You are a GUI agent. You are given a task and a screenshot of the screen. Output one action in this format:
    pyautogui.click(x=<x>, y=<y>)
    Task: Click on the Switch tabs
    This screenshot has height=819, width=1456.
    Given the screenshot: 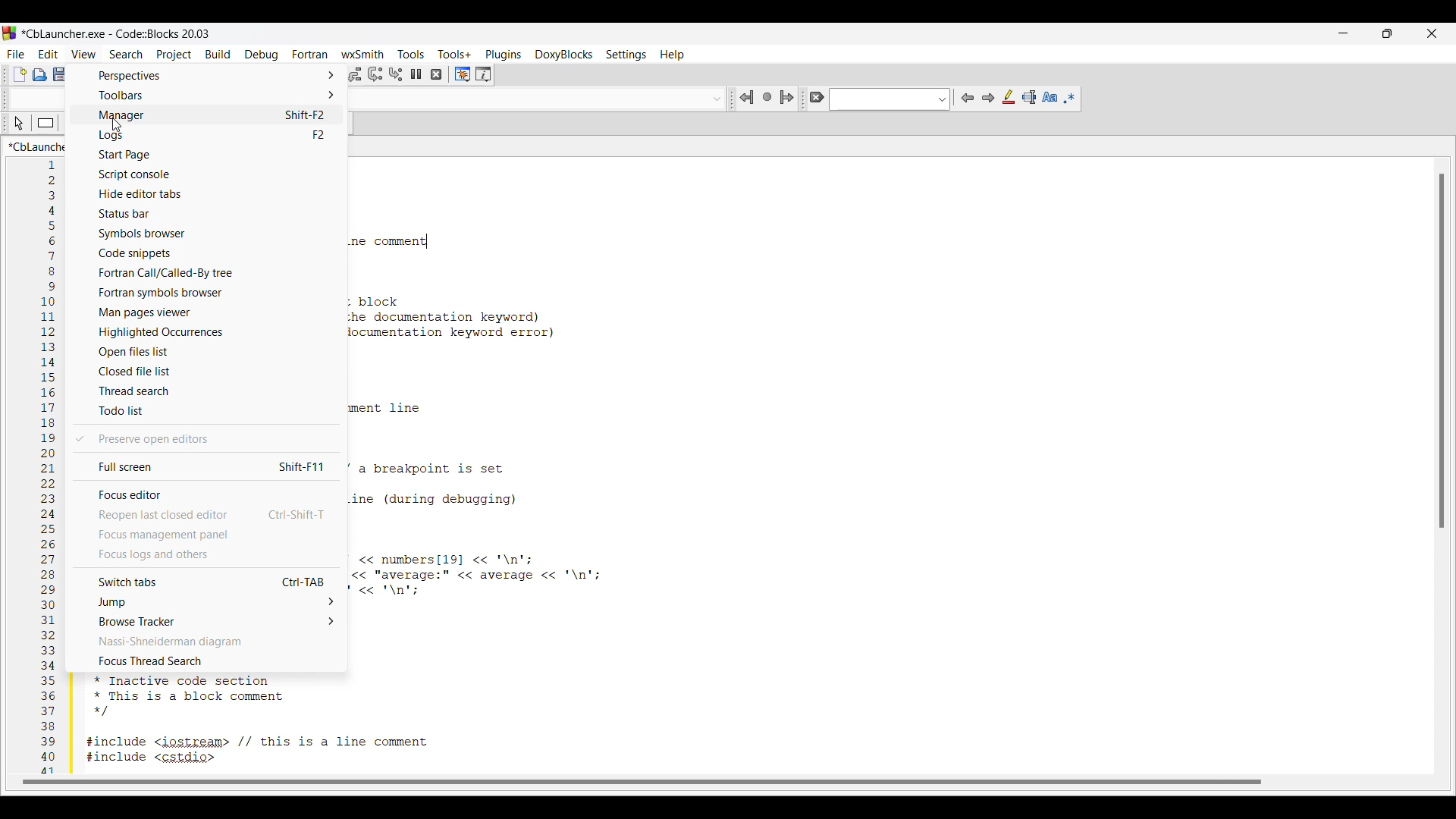 What is the action you would take?
    pyautogui.click(x=206, y=580)
    